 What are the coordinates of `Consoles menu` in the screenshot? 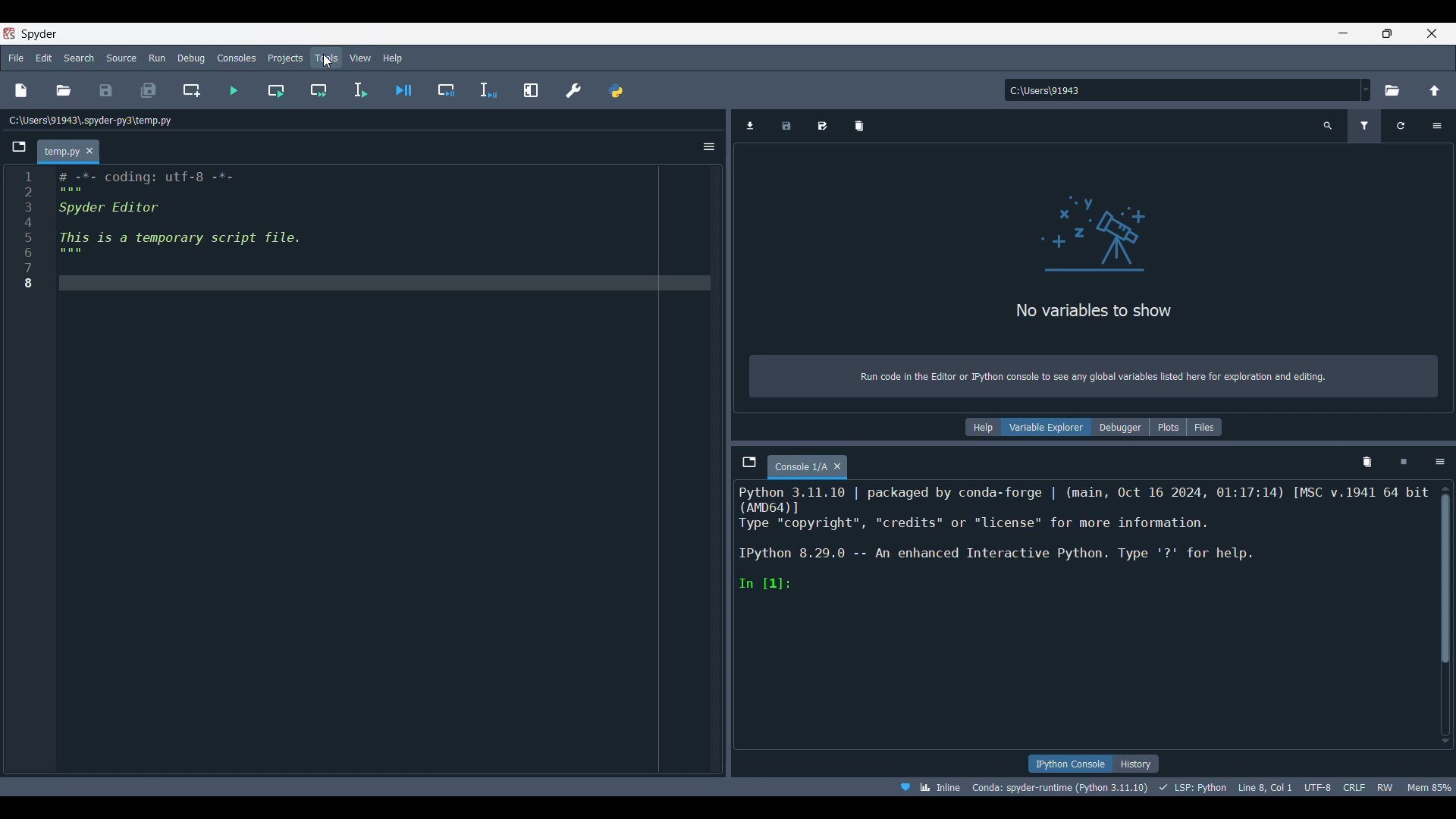 It's located at (236, 58).